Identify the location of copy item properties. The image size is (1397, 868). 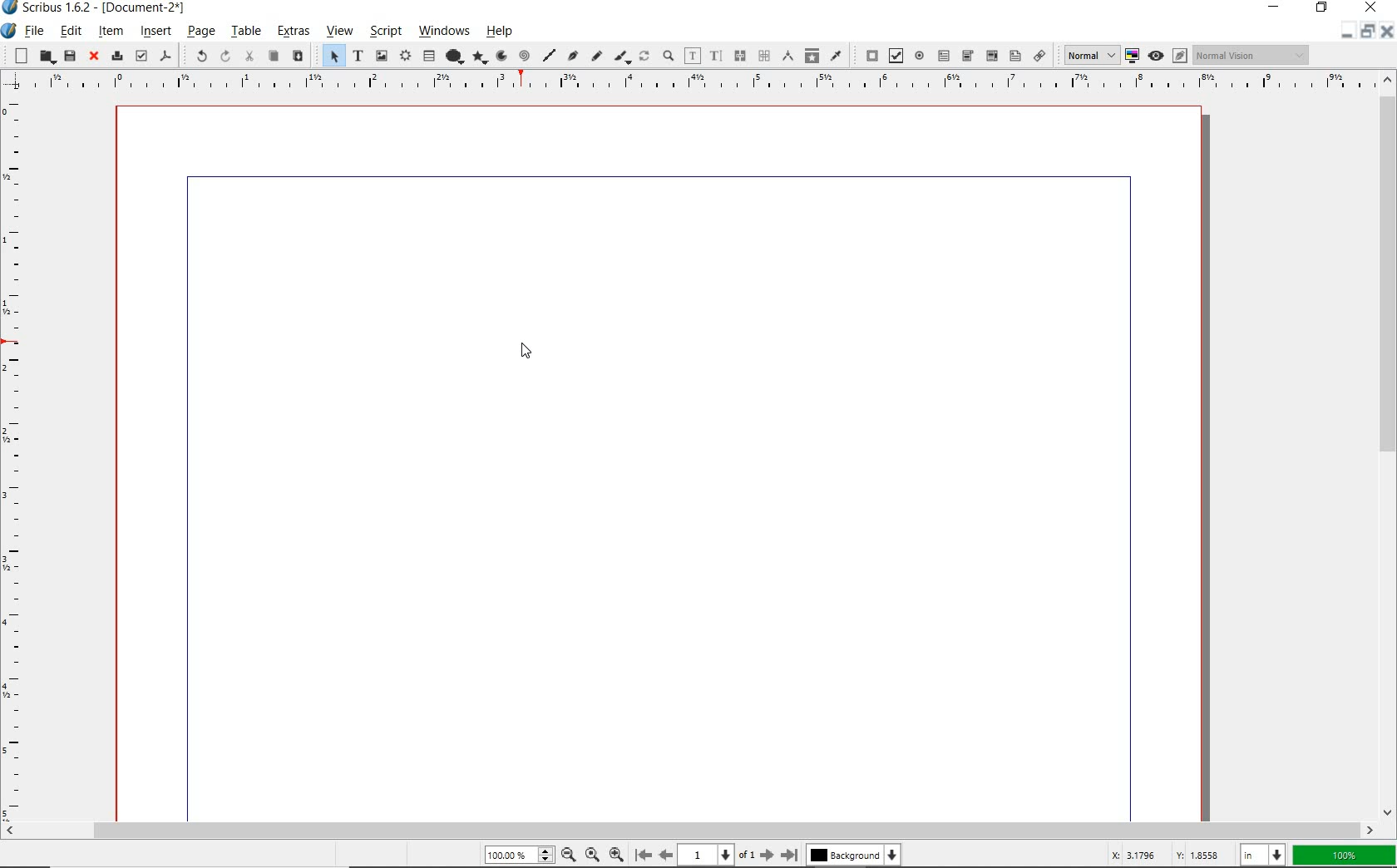
(813, 57).